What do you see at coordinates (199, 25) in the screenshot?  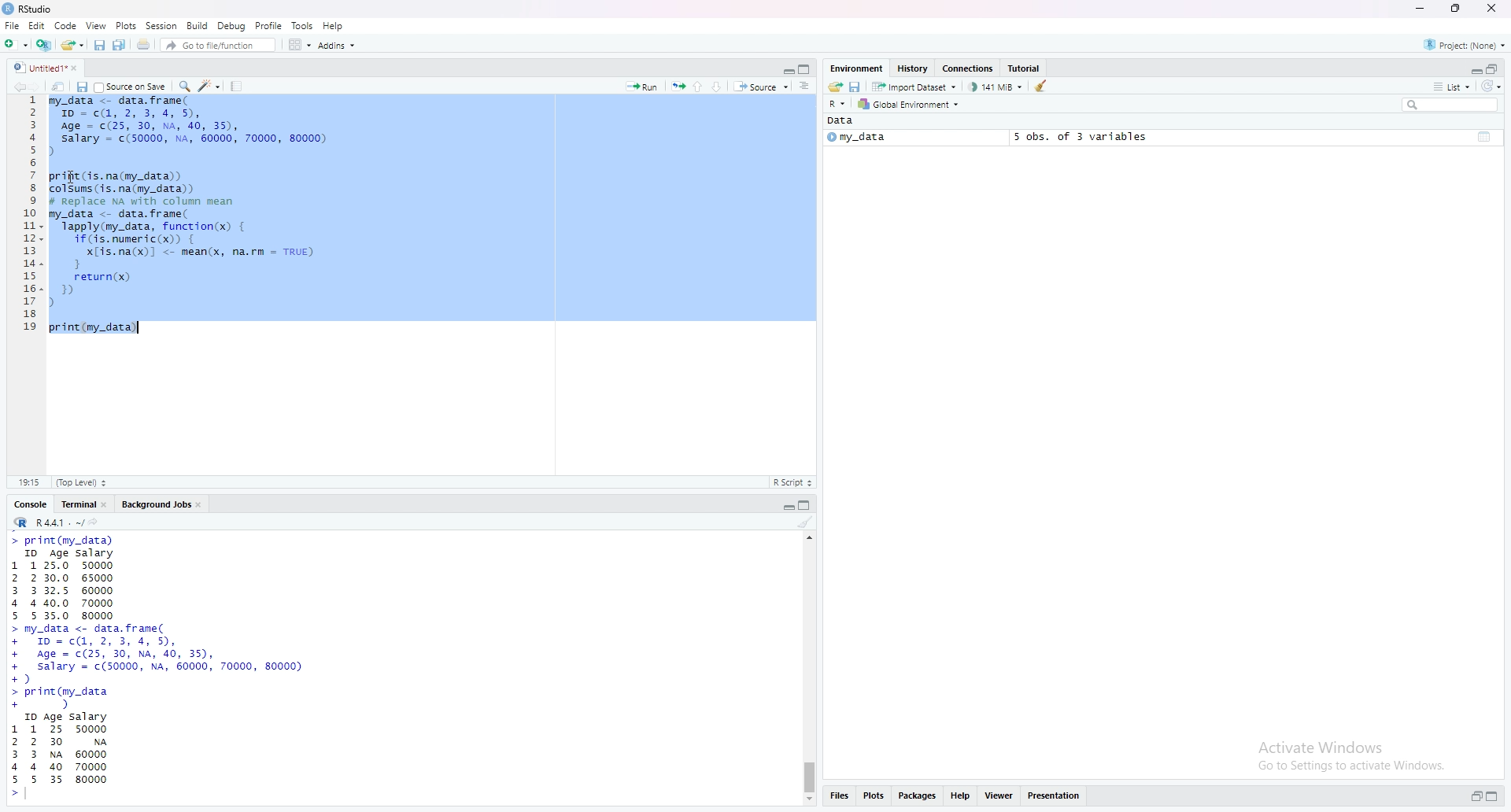 I see `Build` at bounding box center [199, 25].